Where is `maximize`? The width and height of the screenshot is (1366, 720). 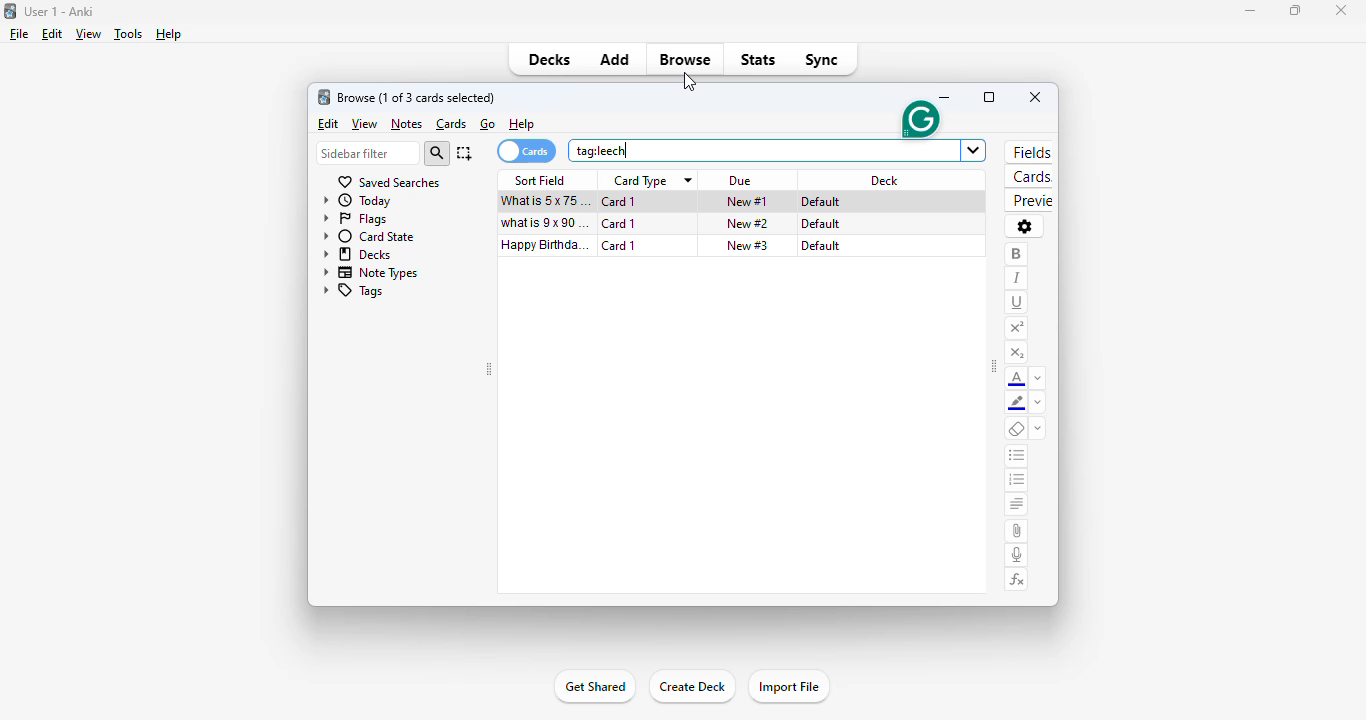 maximize is located at coordinates (1296, 10).